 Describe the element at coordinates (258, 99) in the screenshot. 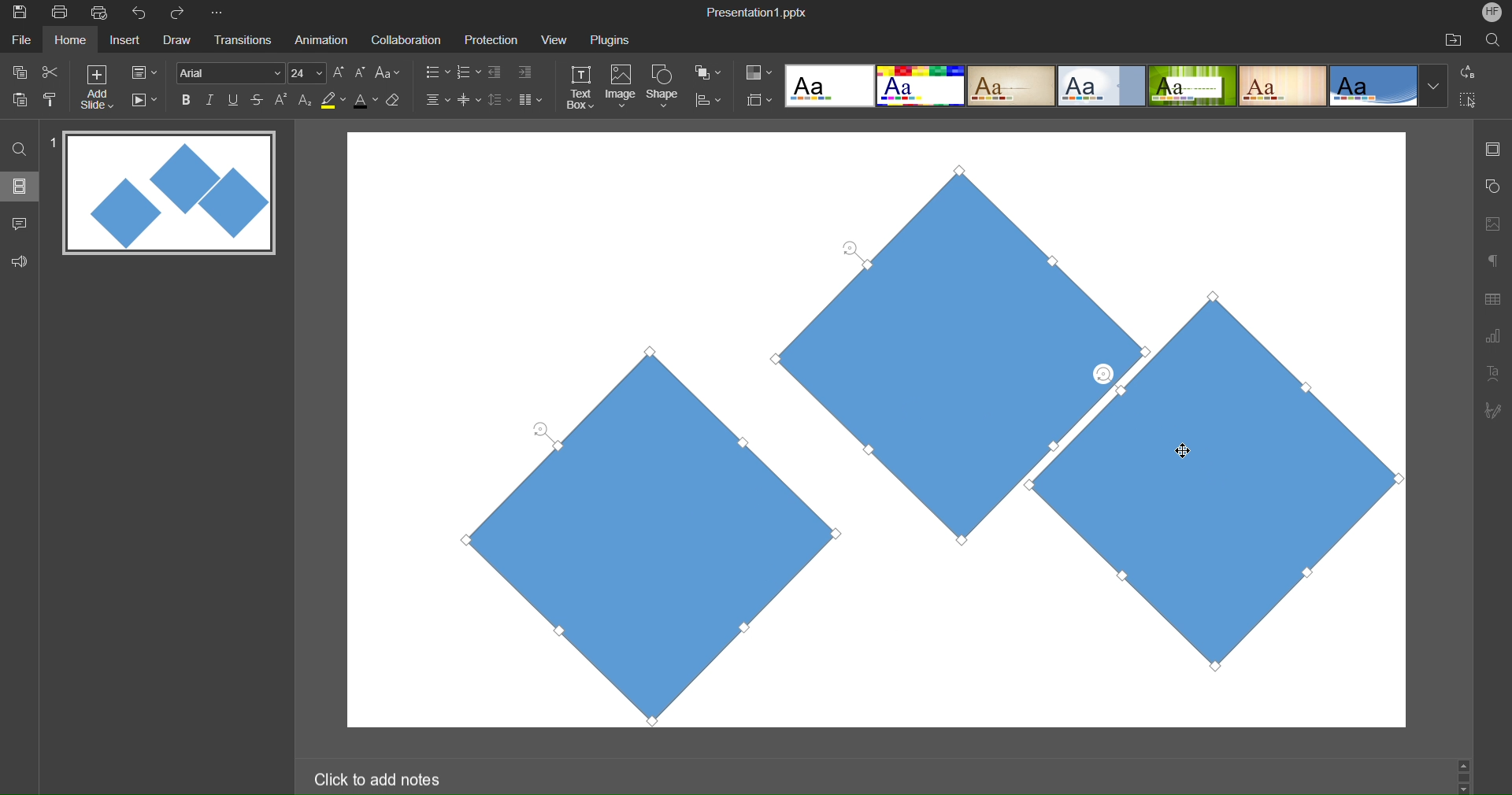

I see `Strikethrough` at that location.